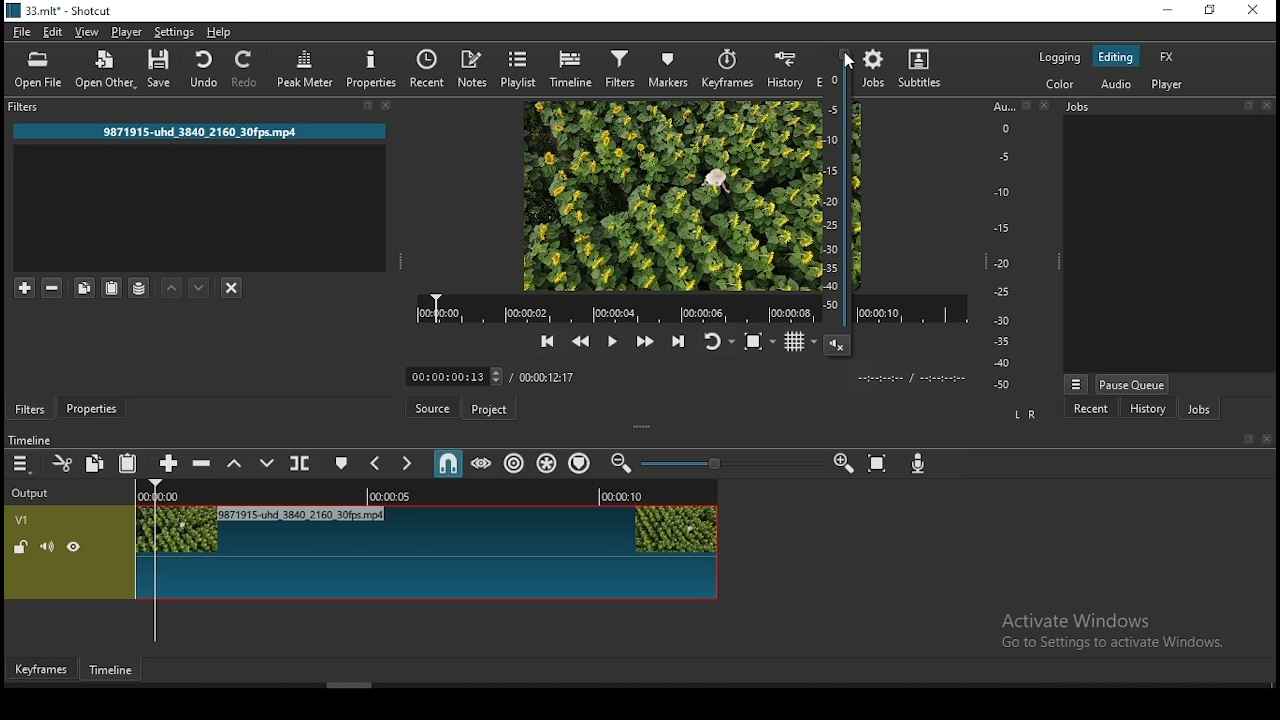  Describe the element at coordinates (205, 465) in the screenshot. I see `ripple delete` at that location.